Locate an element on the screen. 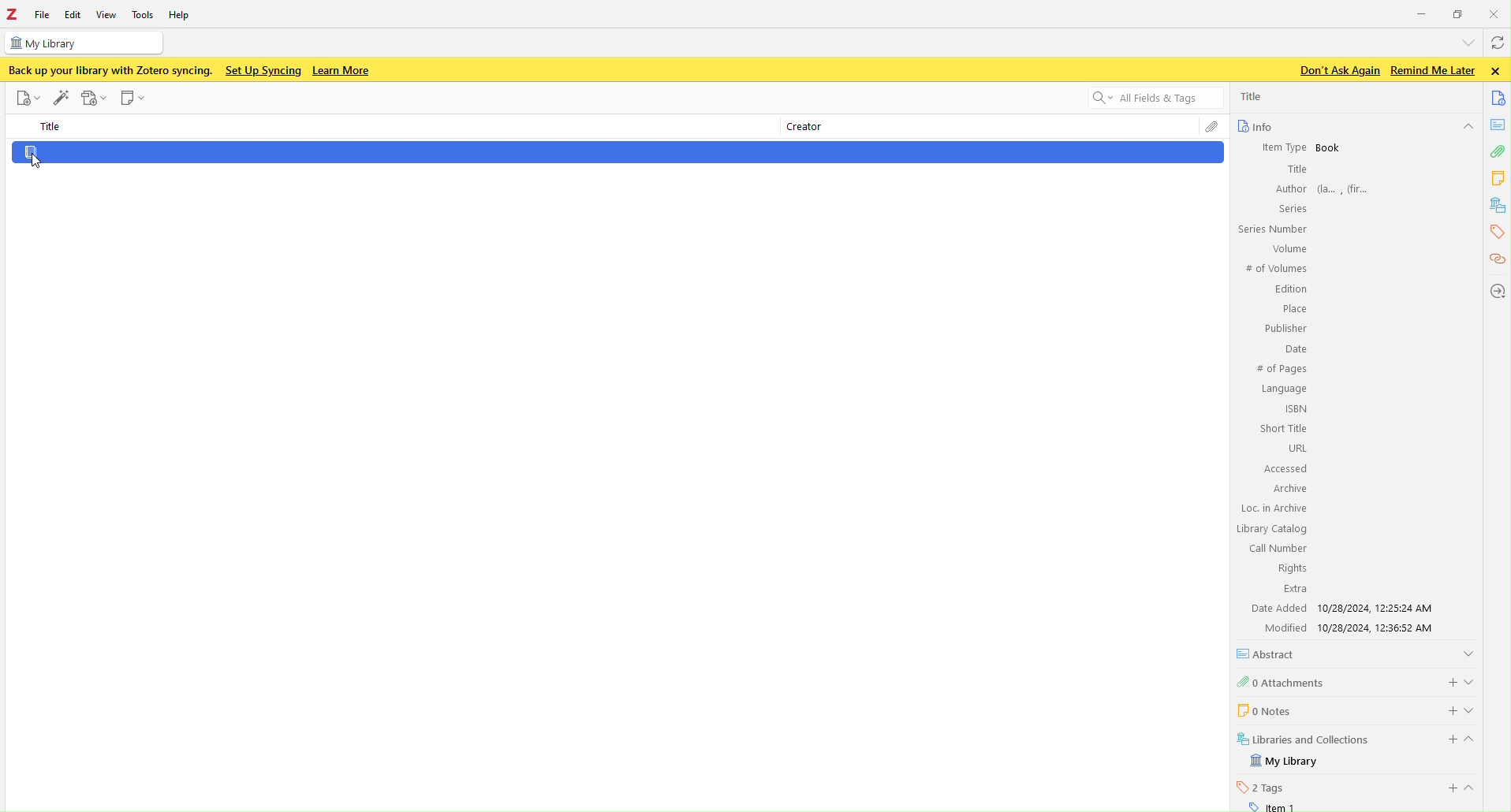 This screenshot has width=1511, height=812. my library is located at coordinates (85, 44).